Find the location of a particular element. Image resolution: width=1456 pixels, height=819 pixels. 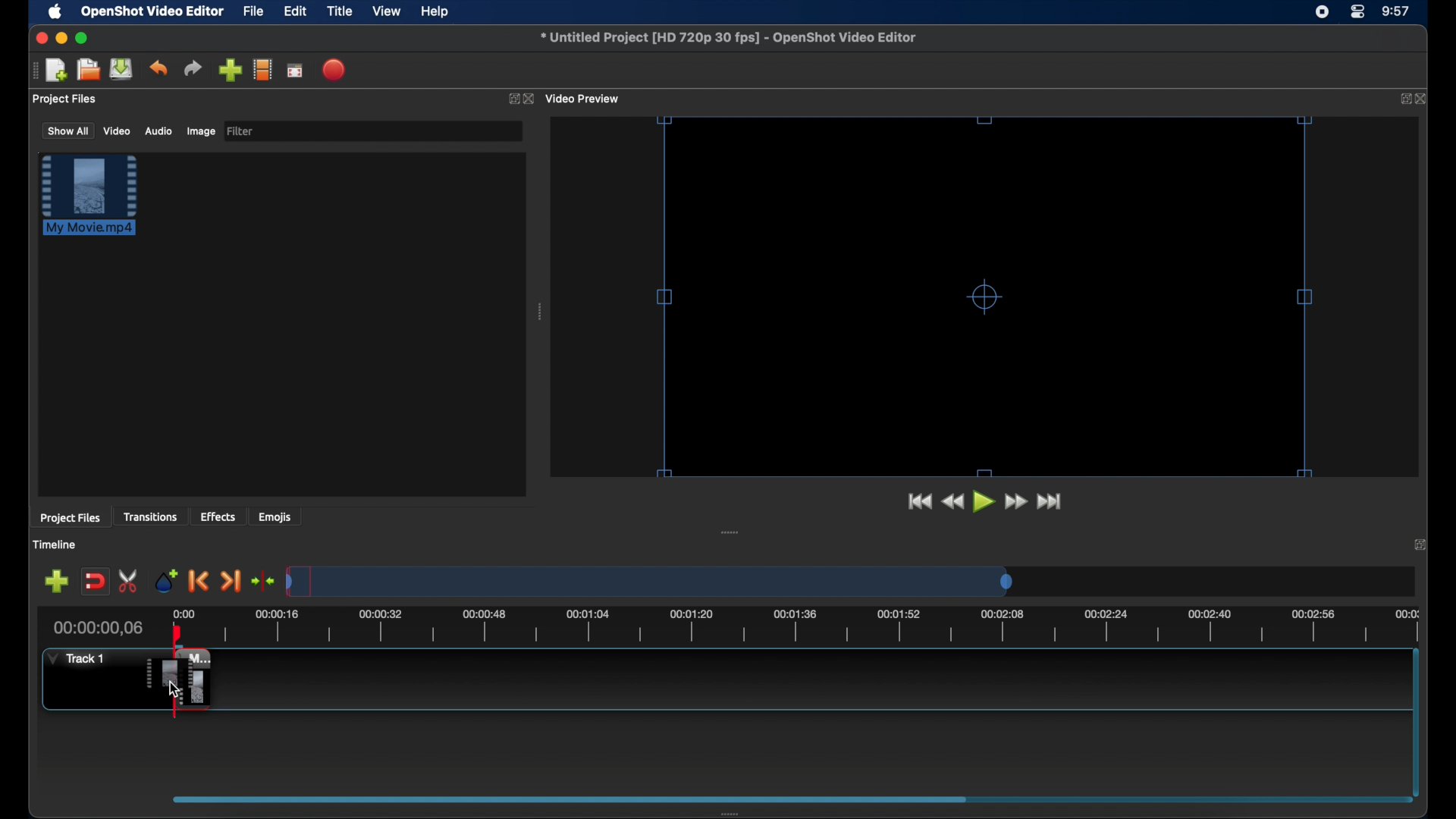

cursor is located at coordinates (172, 689).